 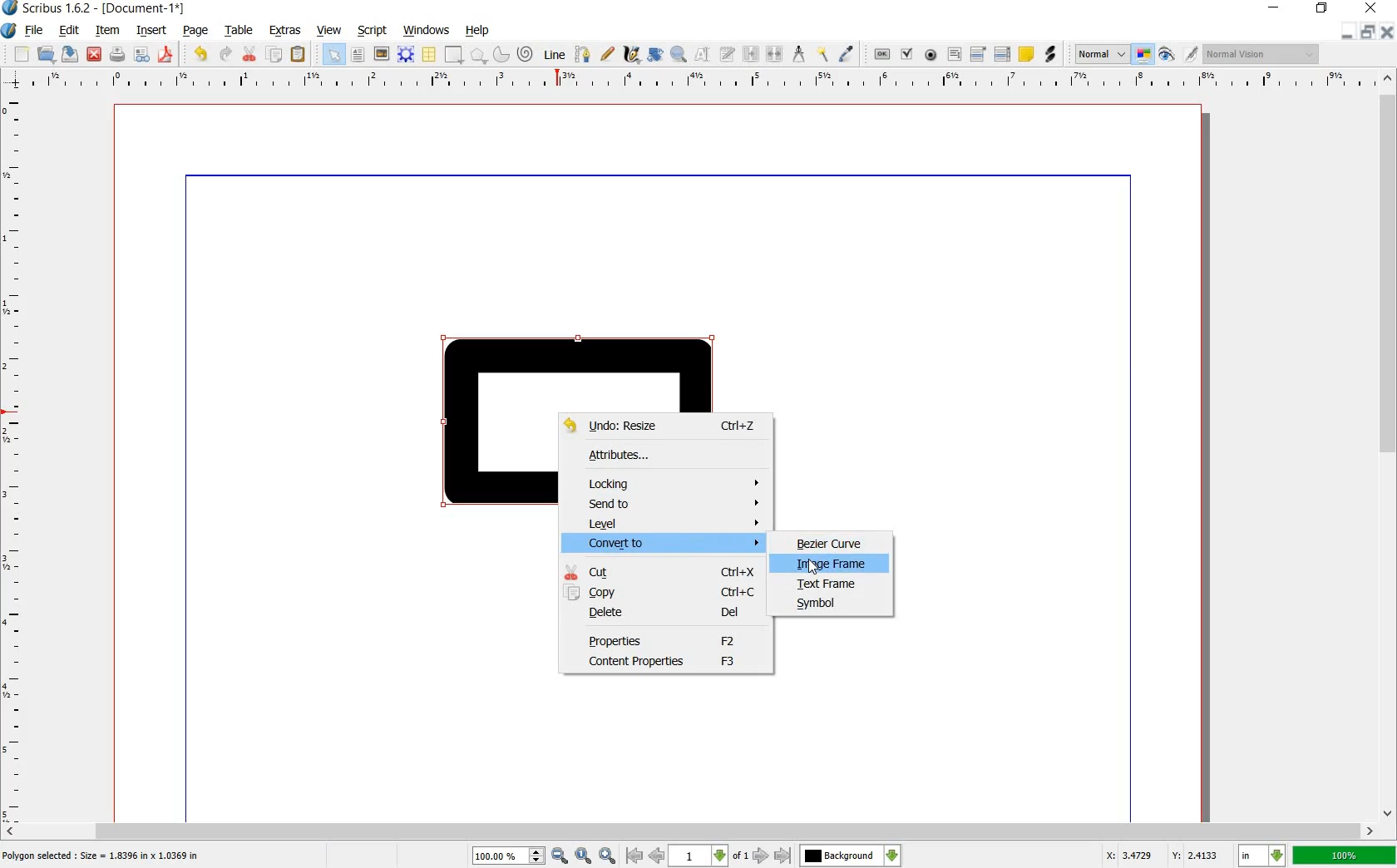 I want to click on Scribus 1.6.2, so click(x=47, y=9).